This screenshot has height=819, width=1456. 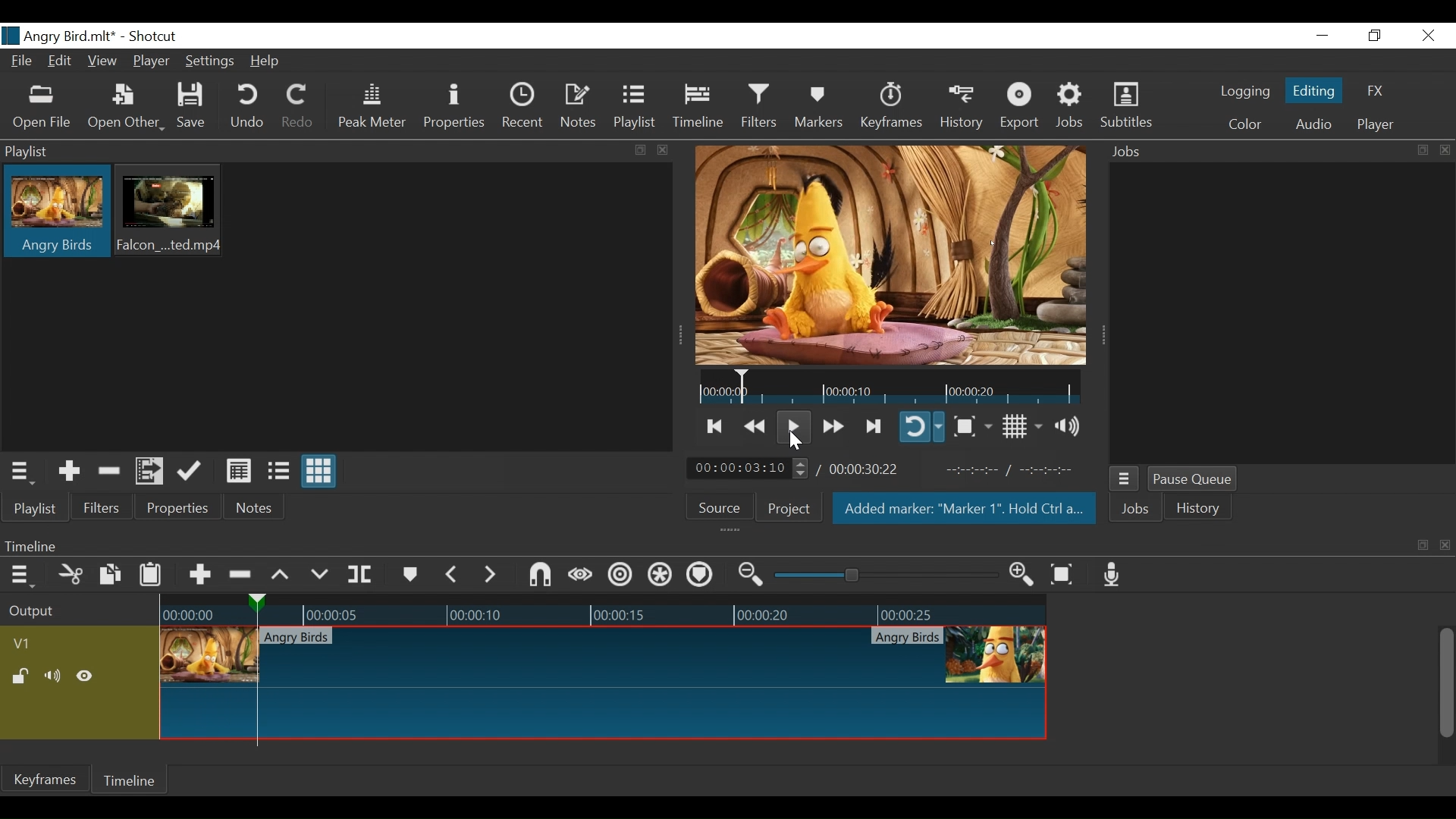 I want to click on Play backward quickly, so click(x=757, y=424).